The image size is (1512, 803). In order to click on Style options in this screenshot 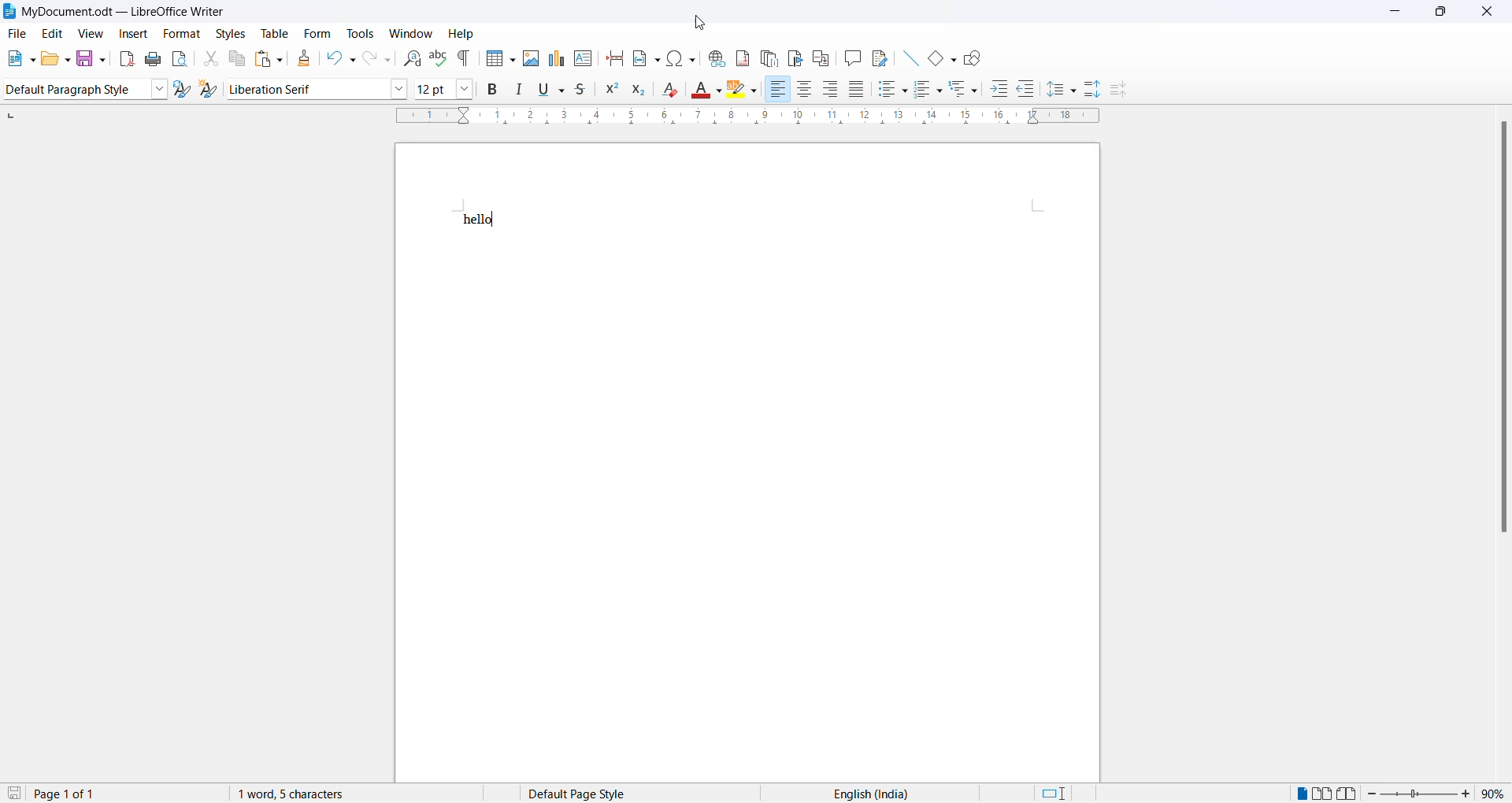, I will do `click(158, 89)`.